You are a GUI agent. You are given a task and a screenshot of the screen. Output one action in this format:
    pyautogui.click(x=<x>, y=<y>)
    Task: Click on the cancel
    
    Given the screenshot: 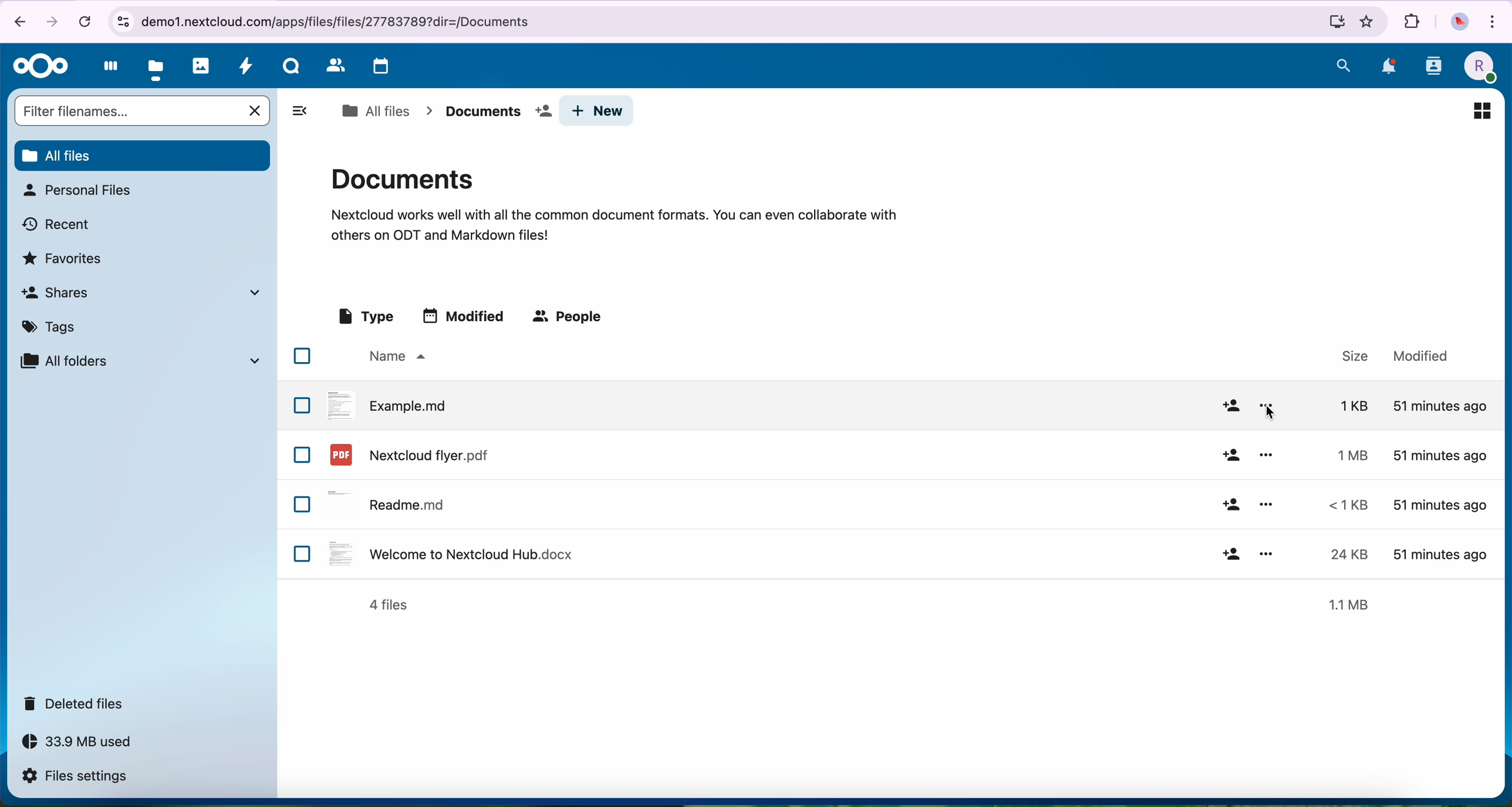 What is the action you would take?
    pyautogui.click(x=84, y=21)
    